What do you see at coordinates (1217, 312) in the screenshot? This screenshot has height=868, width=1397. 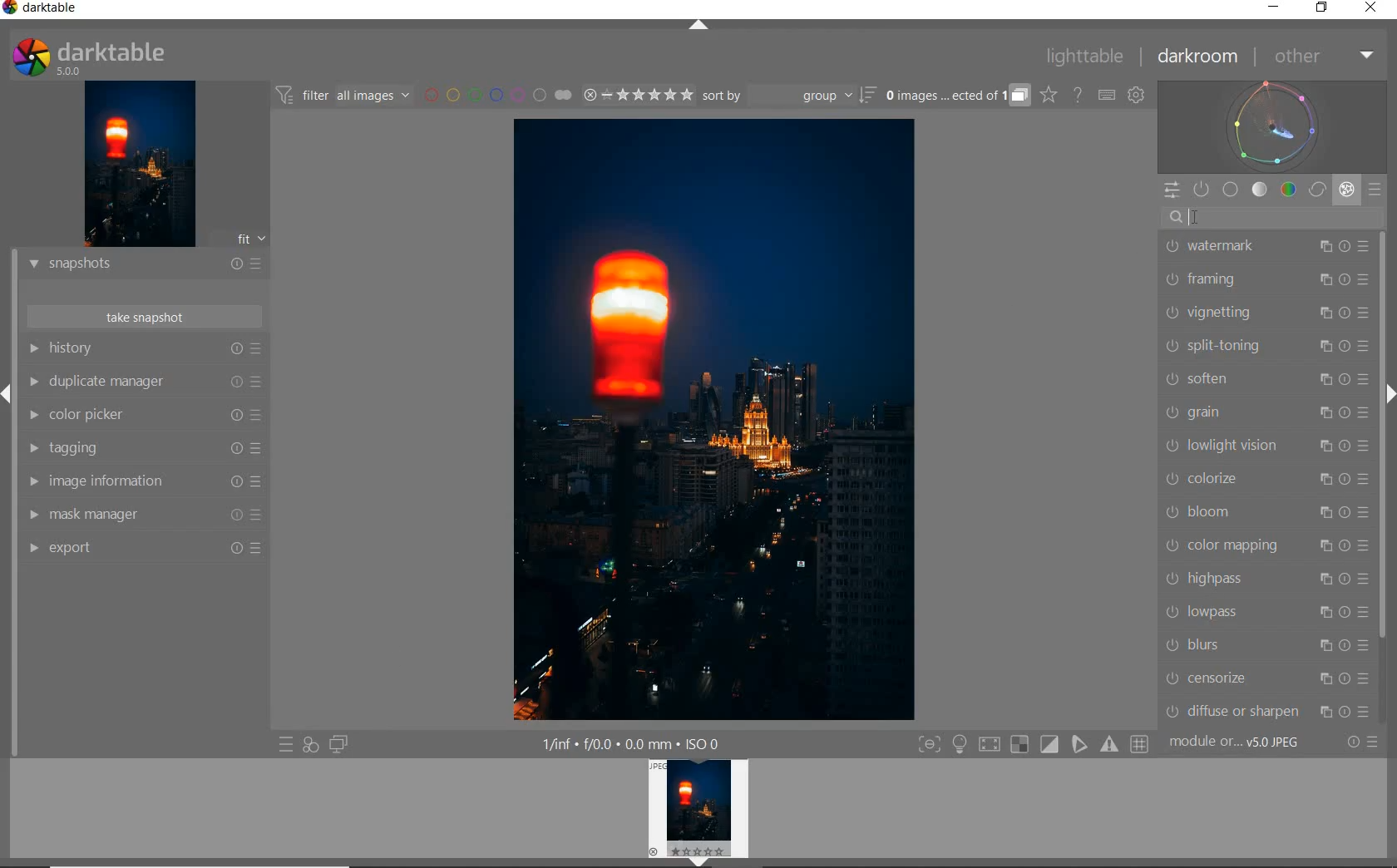 I see `VIGNETTING` at bounding box center [1217, 312].